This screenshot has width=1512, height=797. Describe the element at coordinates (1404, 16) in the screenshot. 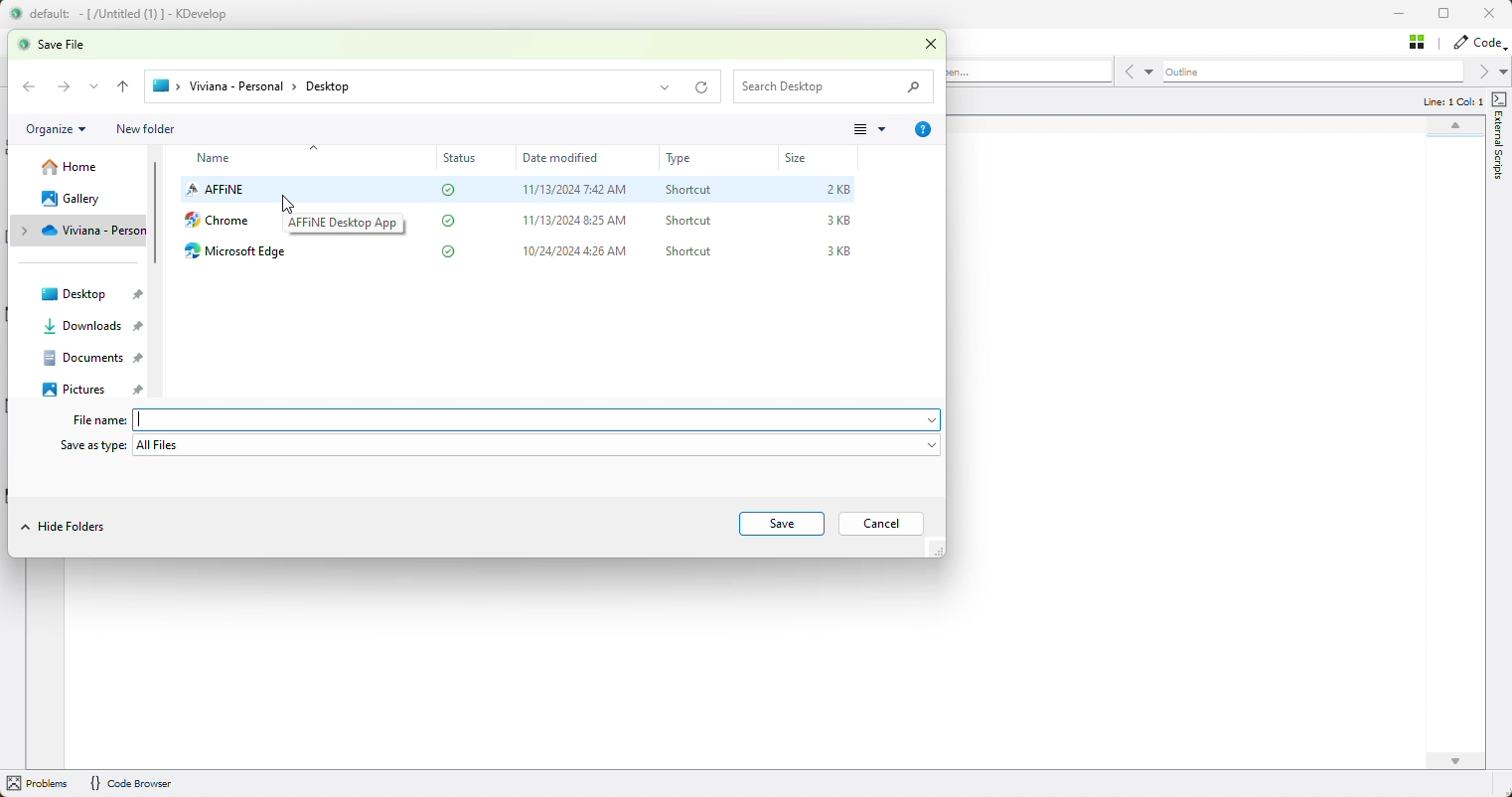

I see `minimise` at that location.